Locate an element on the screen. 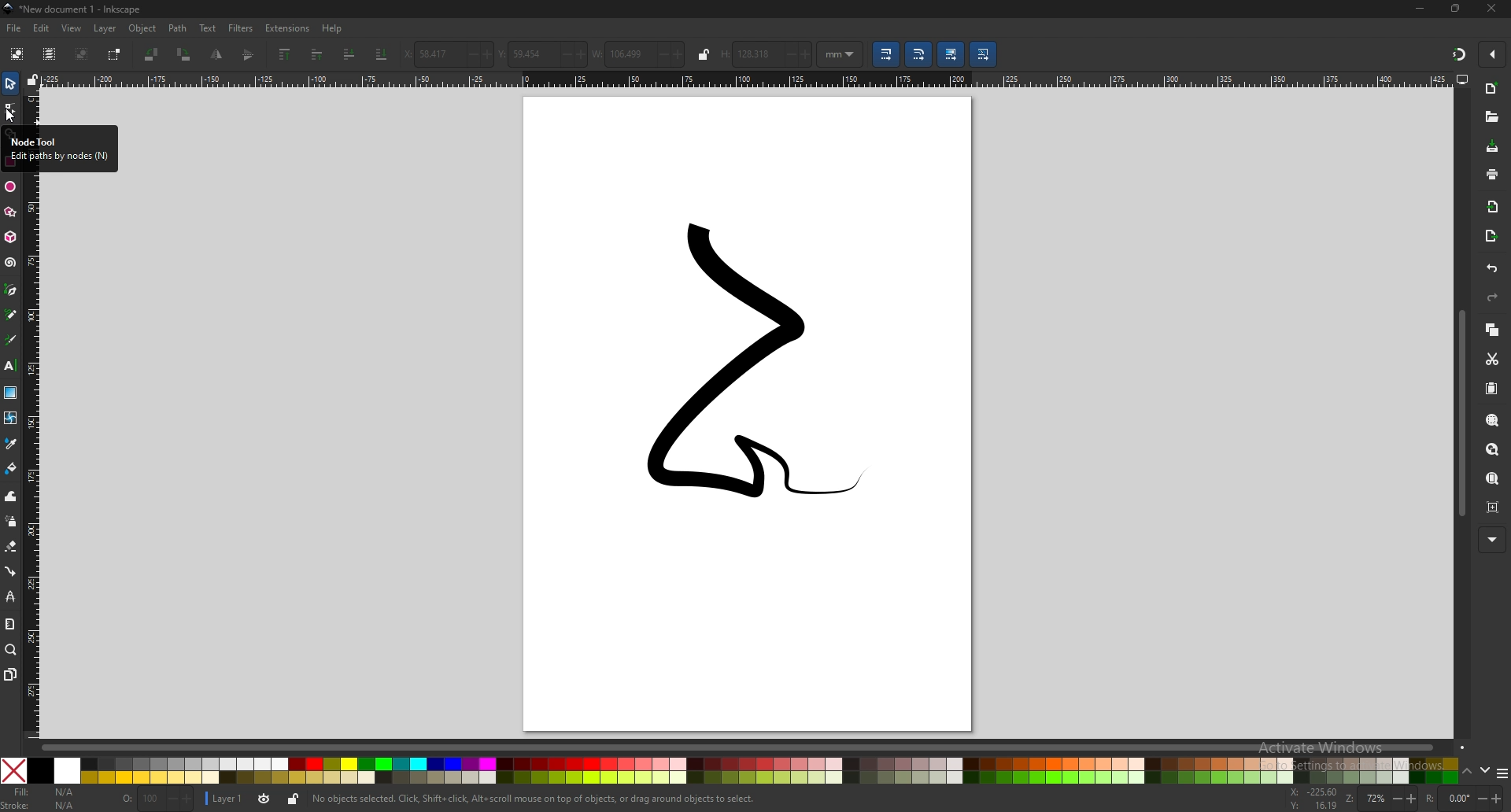  tweak is located at coordinates (11, 496).